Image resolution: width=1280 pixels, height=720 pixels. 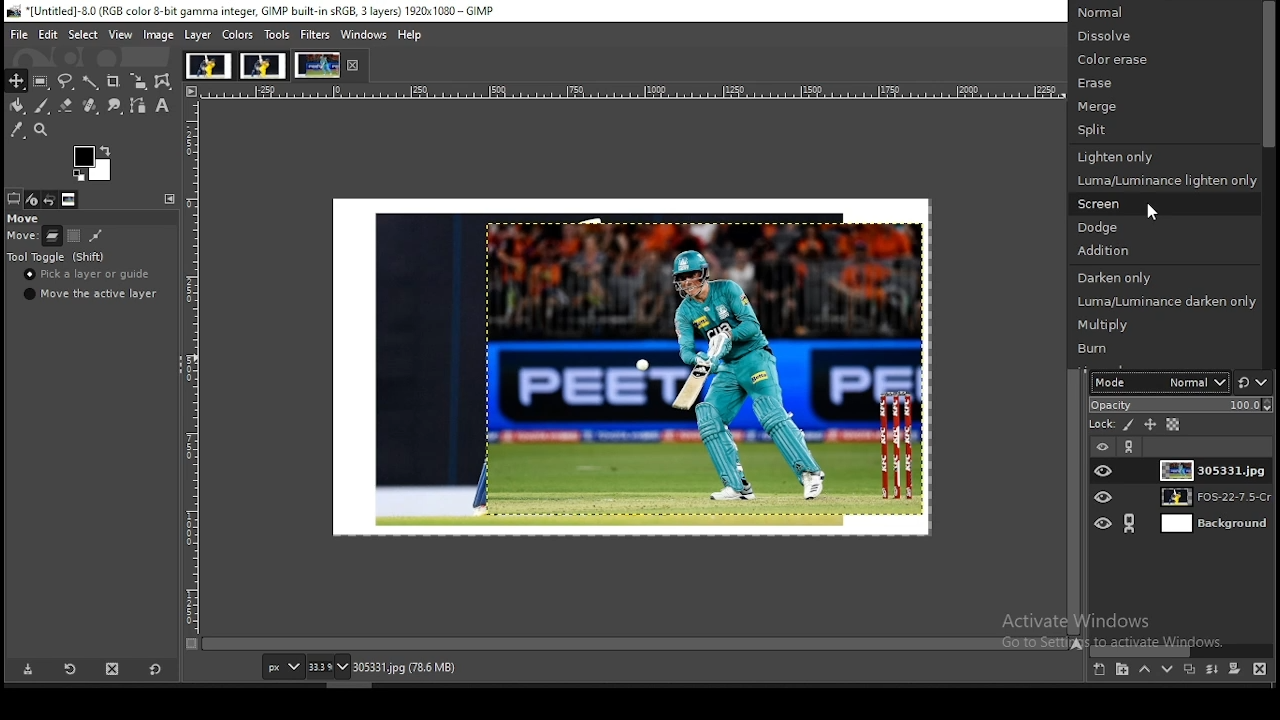 What do you see at coordinates (1104, 468) in the screenshot?
I see `layer visibility on/off` at bounding box center [1104, 468].